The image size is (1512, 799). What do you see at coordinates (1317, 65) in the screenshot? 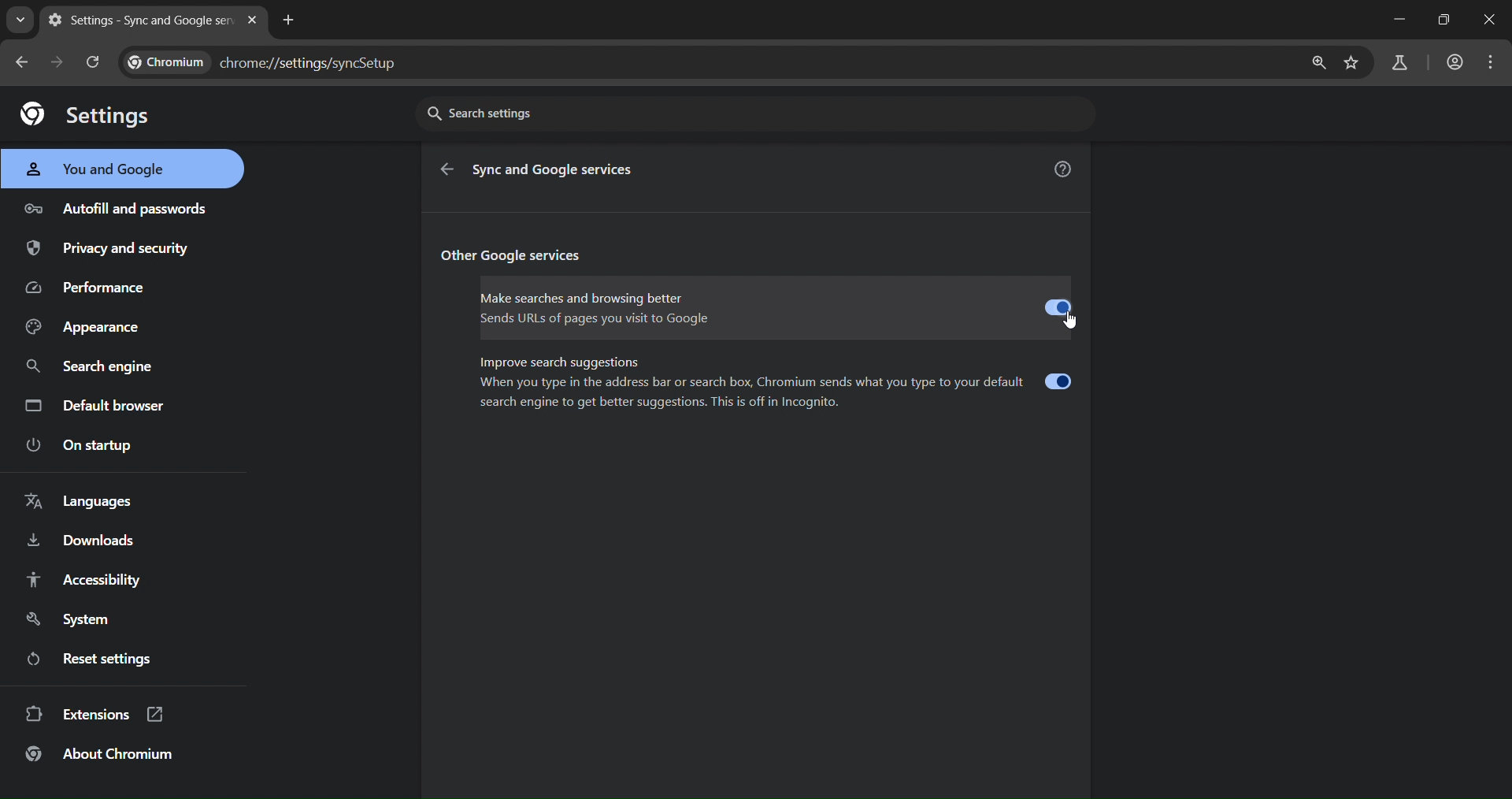
I see `zoom ` at bounding box center [1317, 65].